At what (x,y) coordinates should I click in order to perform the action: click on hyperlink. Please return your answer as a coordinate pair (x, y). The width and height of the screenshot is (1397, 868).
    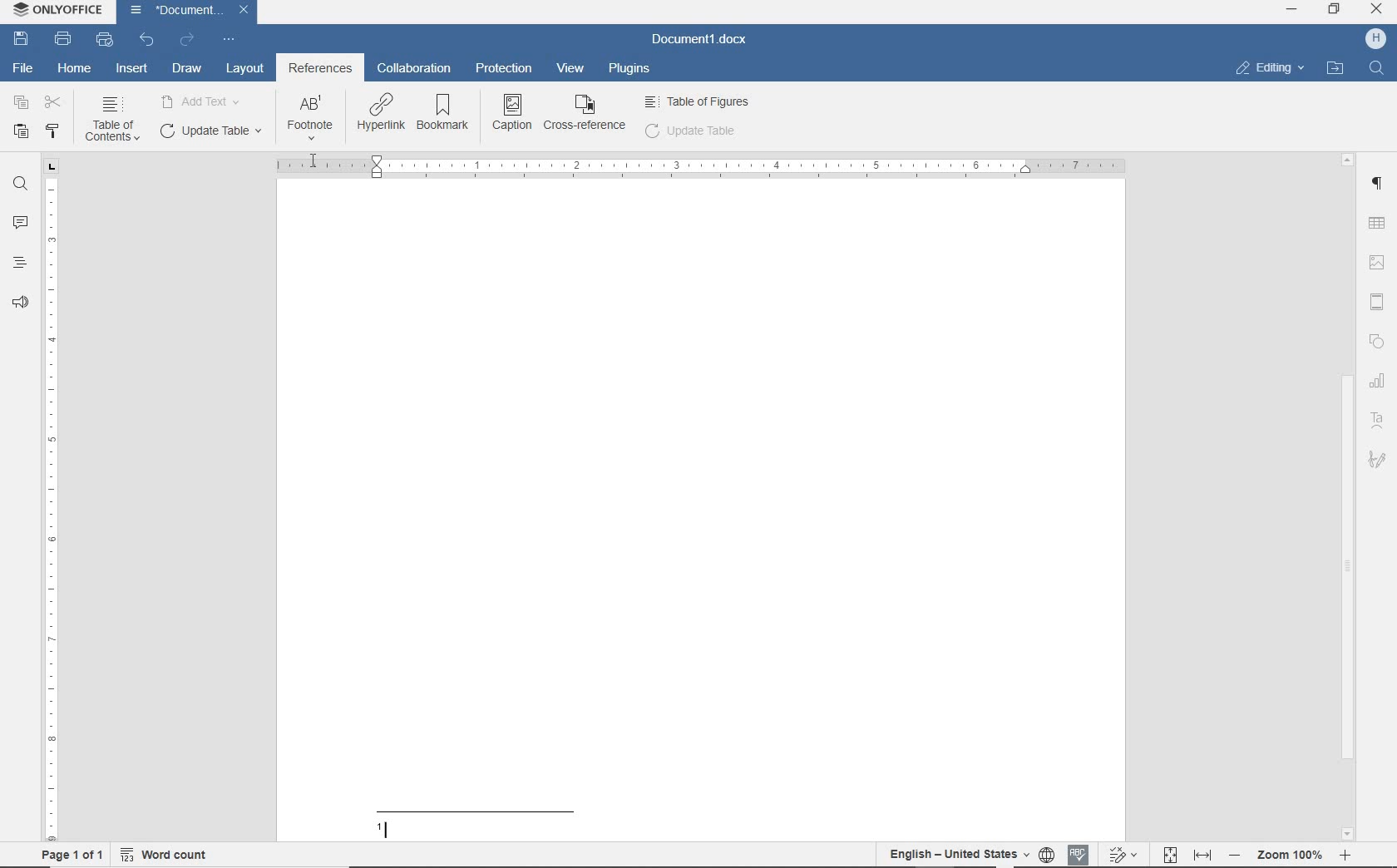
    Looking at the image, I should click on (381, 114).